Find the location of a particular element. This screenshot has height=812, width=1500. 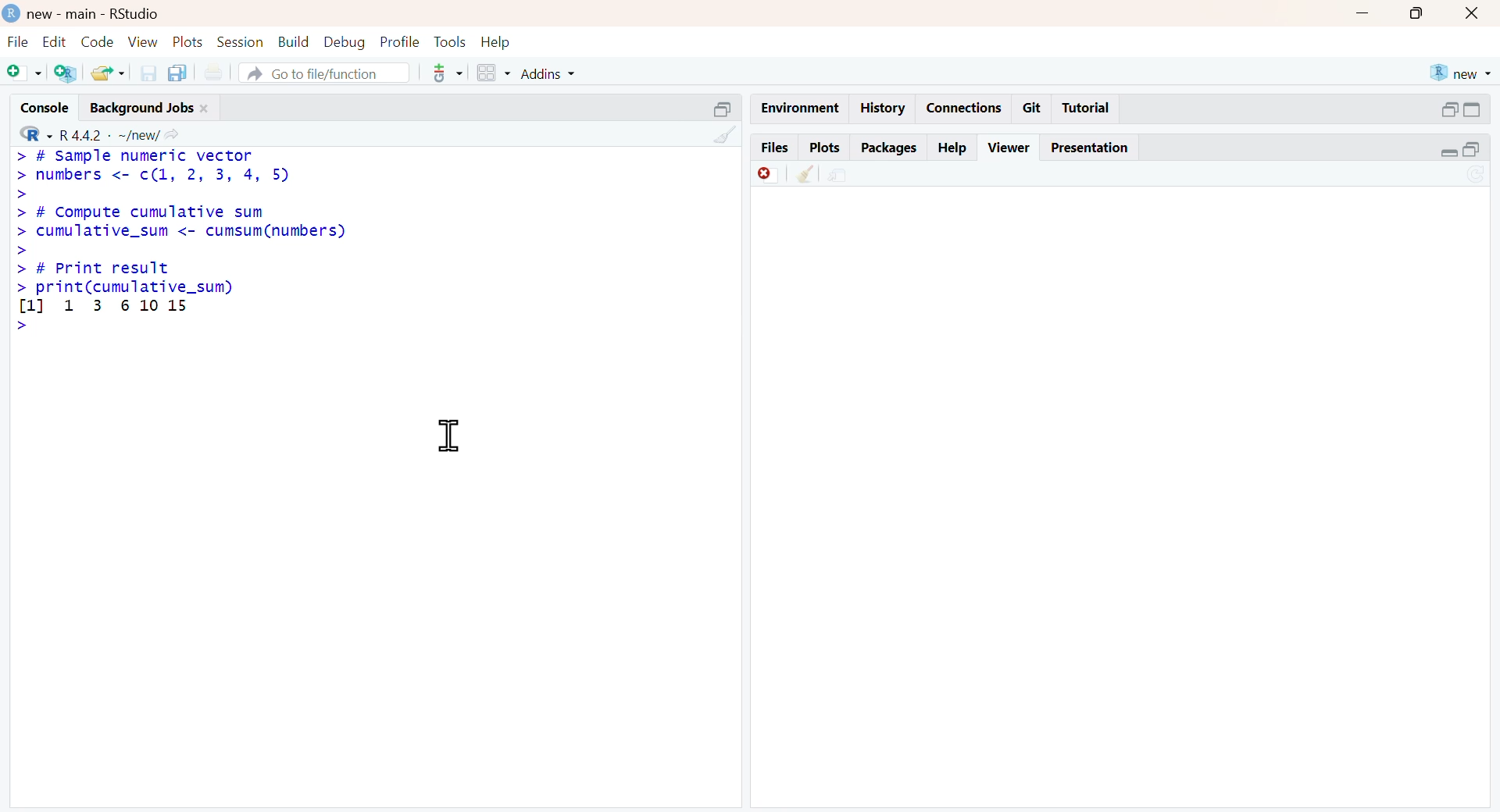

help is located at coordinates (496, 41).